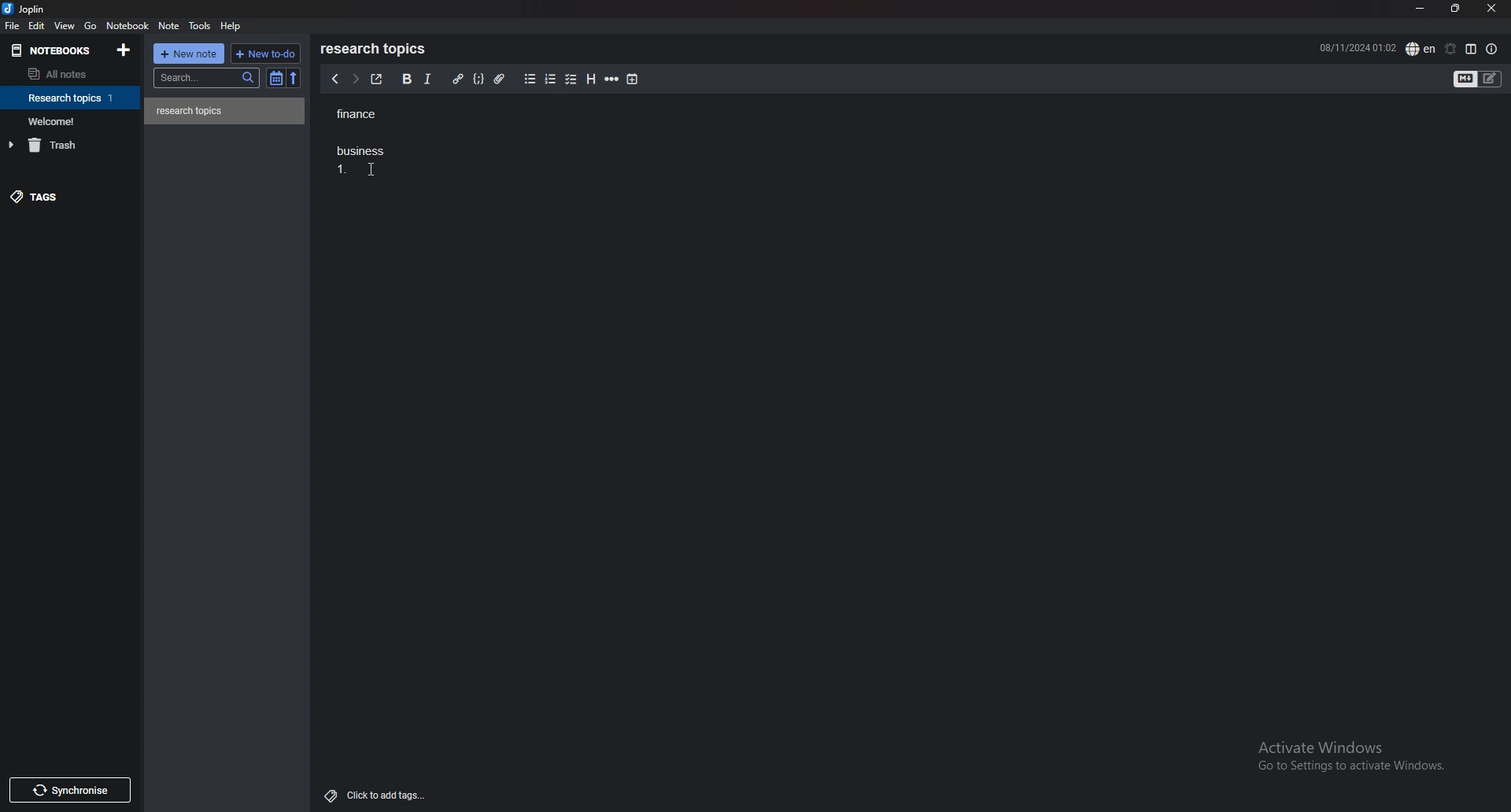 This screenshot has width=1511, height=812. I want to click on new note, so click(190, 53).